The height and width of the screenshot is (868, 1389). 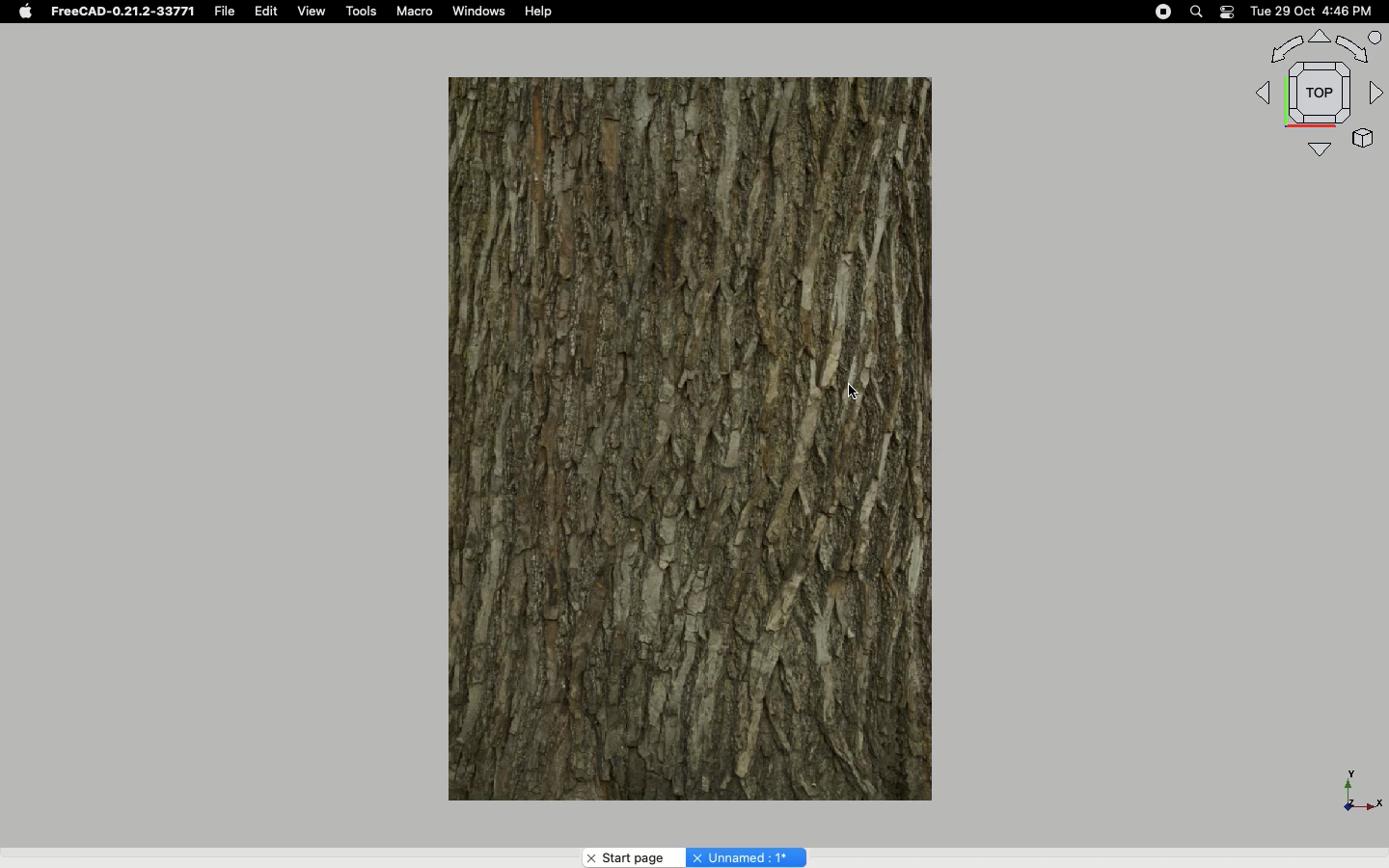 What do you see at coordinates (312, 12) in the screenshot?
I see `View` at bounding box center [312, 12].